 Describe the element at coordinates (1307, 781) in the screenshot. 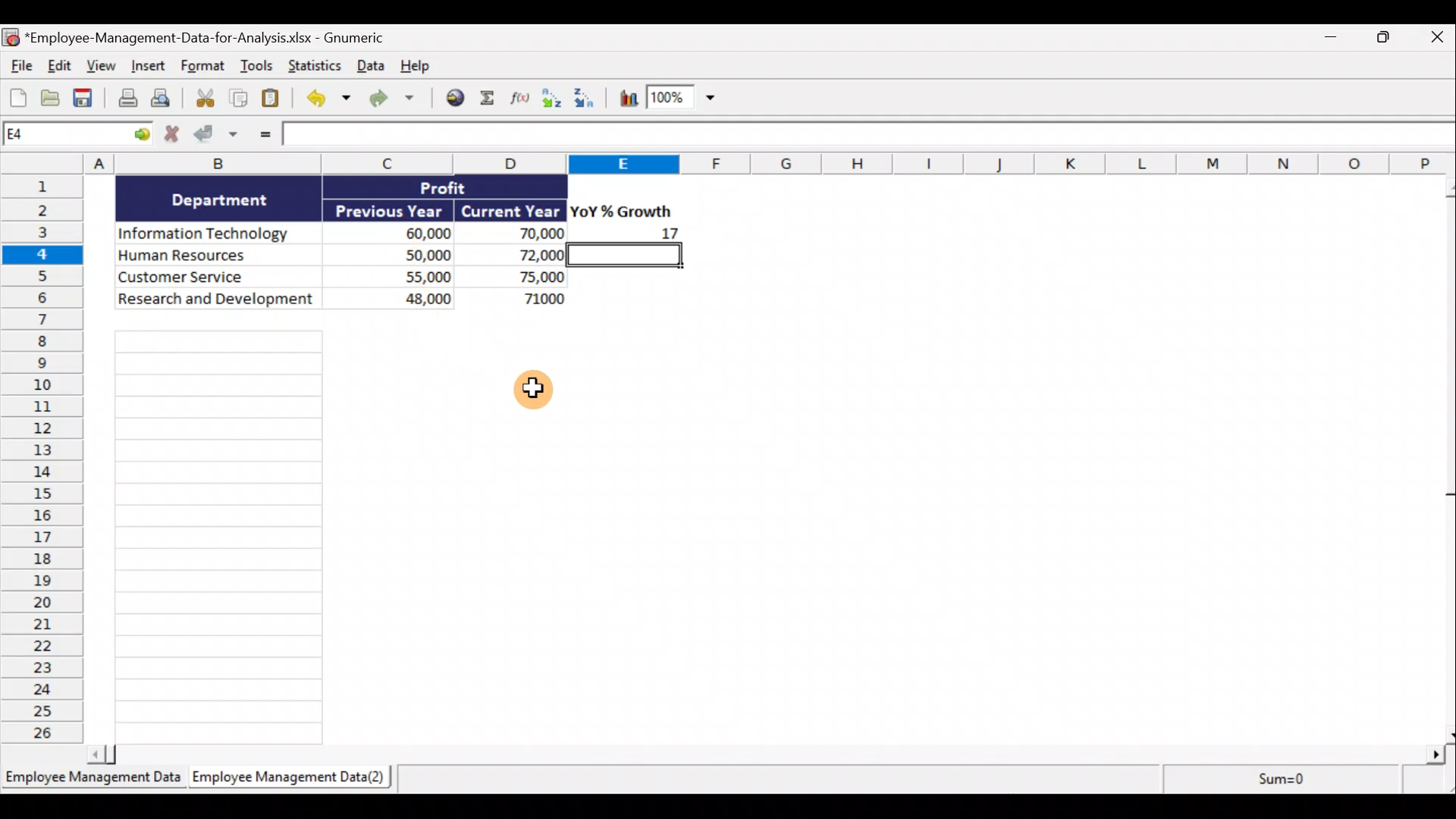

I see `sum=0` at that location.